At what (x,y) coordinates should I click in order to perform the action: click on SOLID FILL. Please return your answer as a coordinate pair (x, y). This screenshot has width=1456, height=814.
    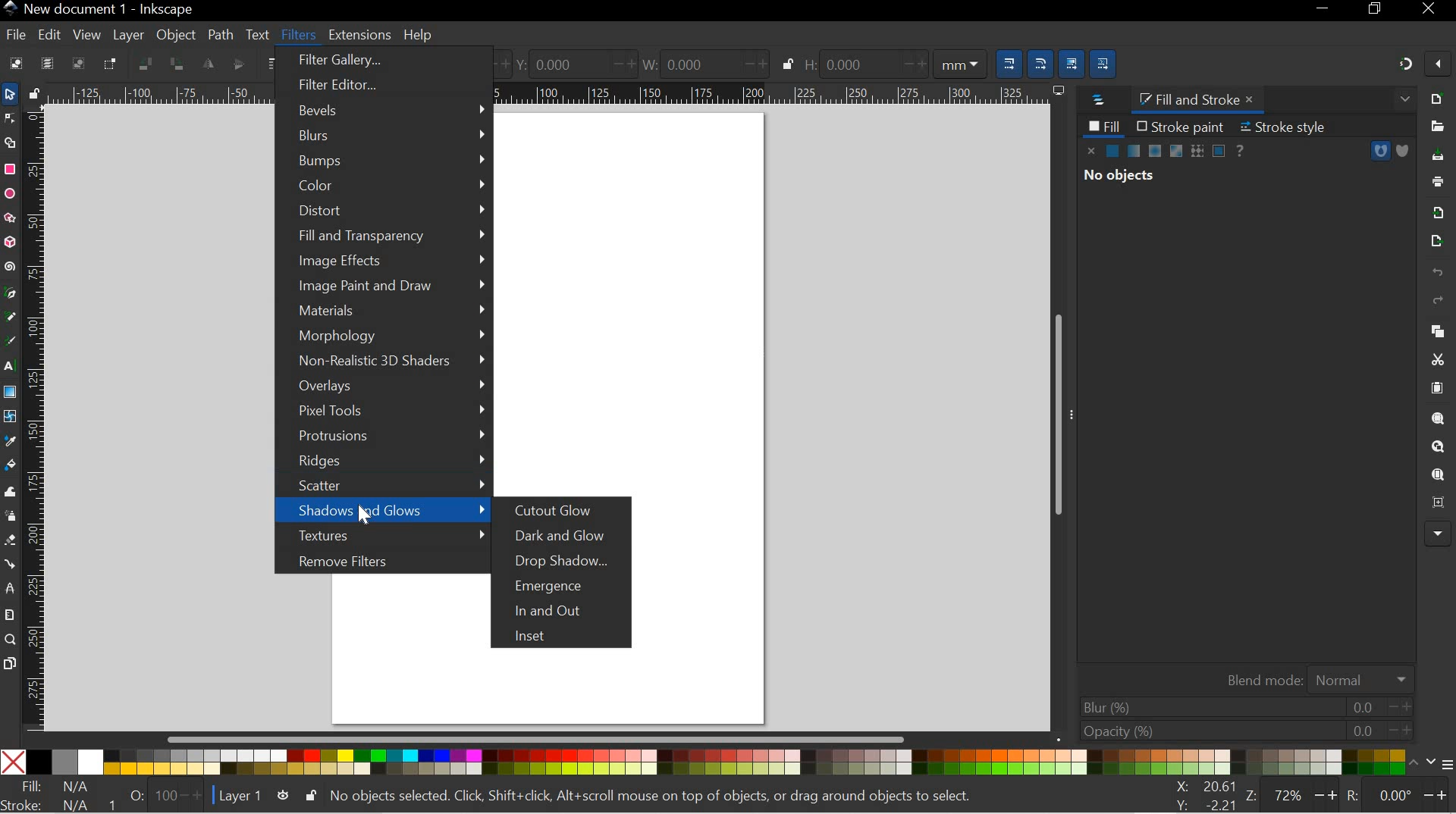
    Looking at the image, I should click on (1401, 151).